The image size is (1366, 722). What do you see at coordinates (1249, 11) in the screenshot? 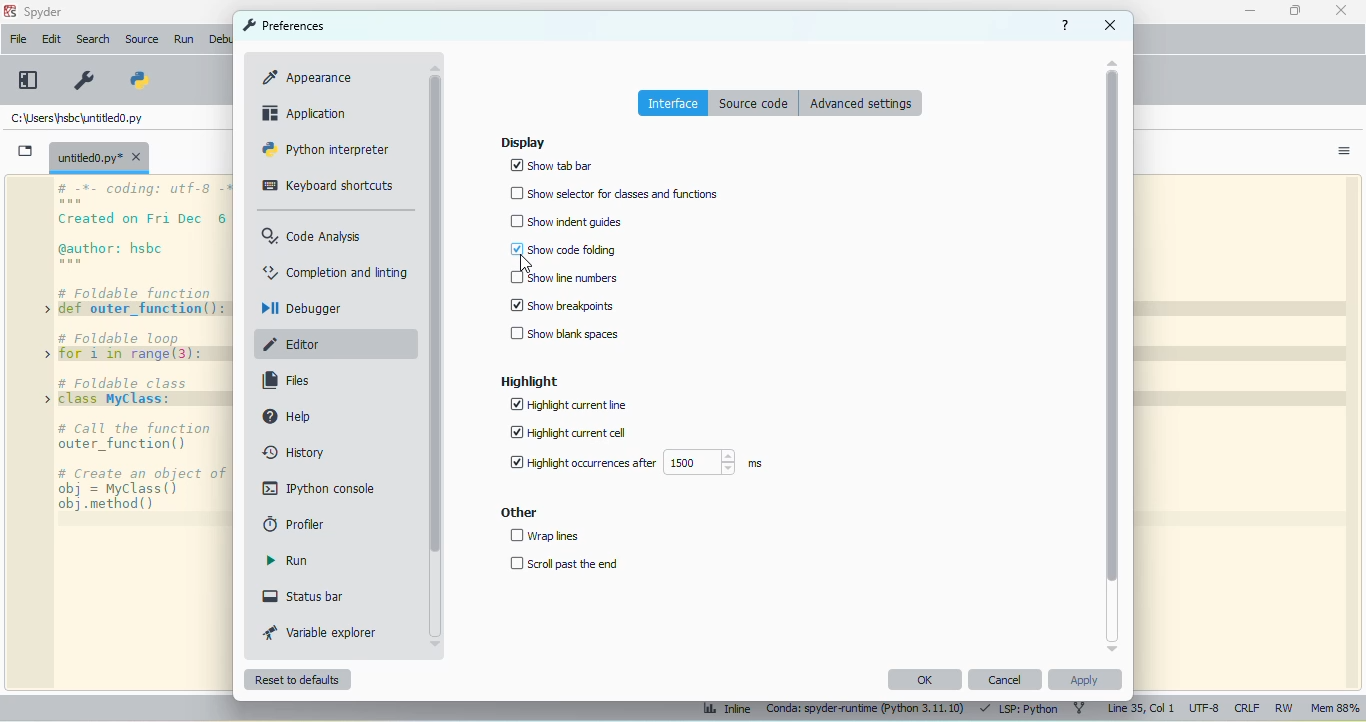
I see `minimize` at bounding box center [1249, 11].